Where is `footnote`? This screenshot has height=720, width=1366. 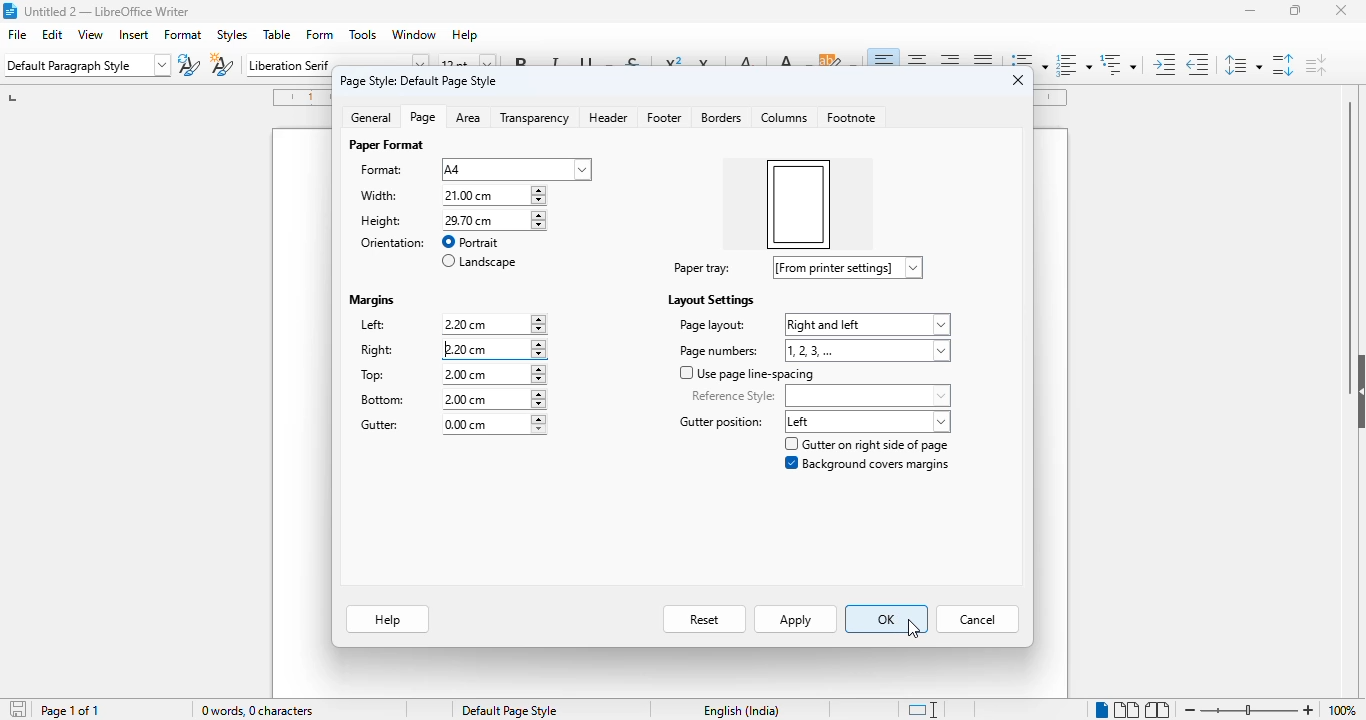 footnote is located at coordinates (853, 117).